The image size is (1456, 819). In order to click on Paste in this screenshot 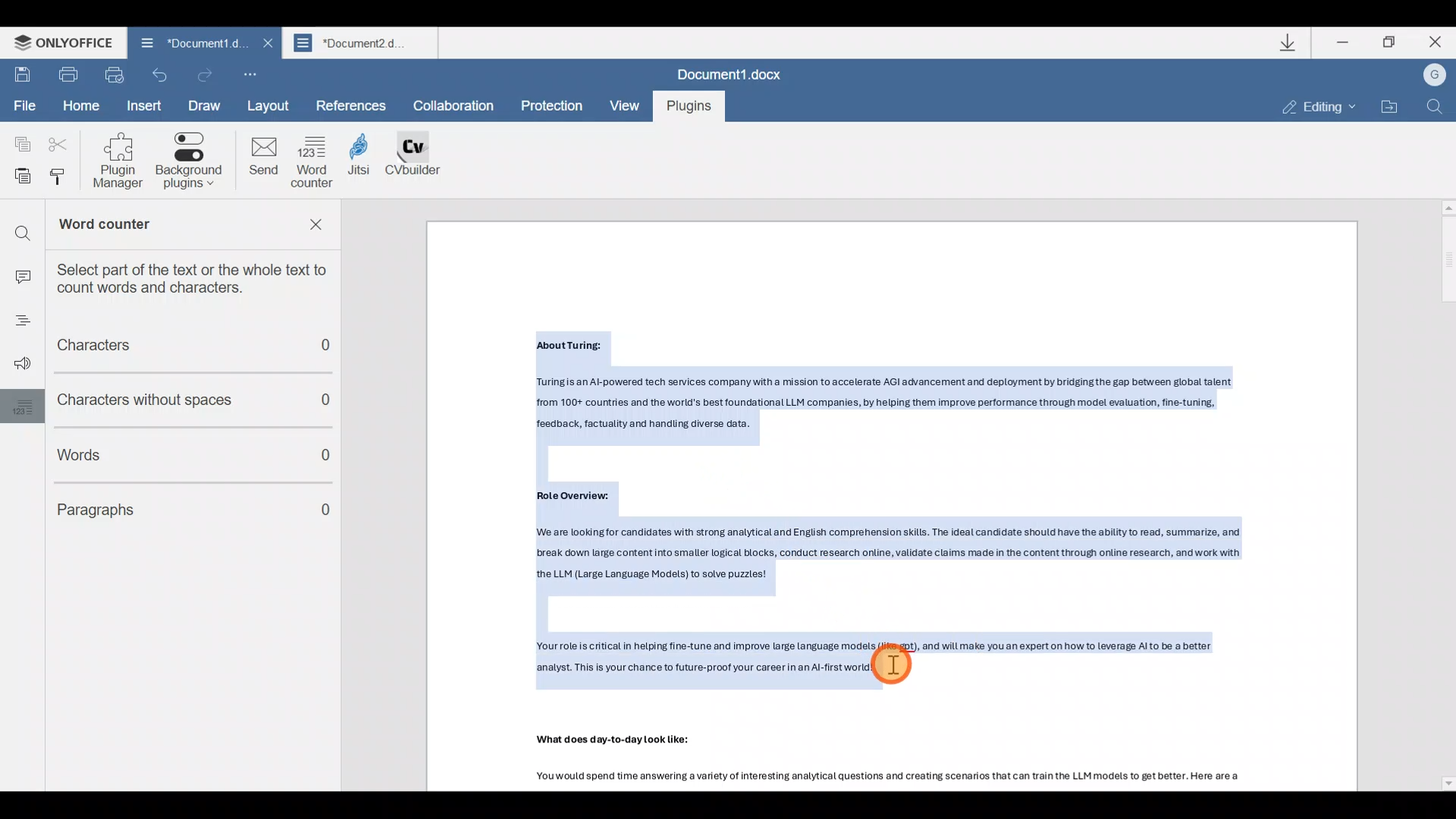, I will do `click(18, 178)`.